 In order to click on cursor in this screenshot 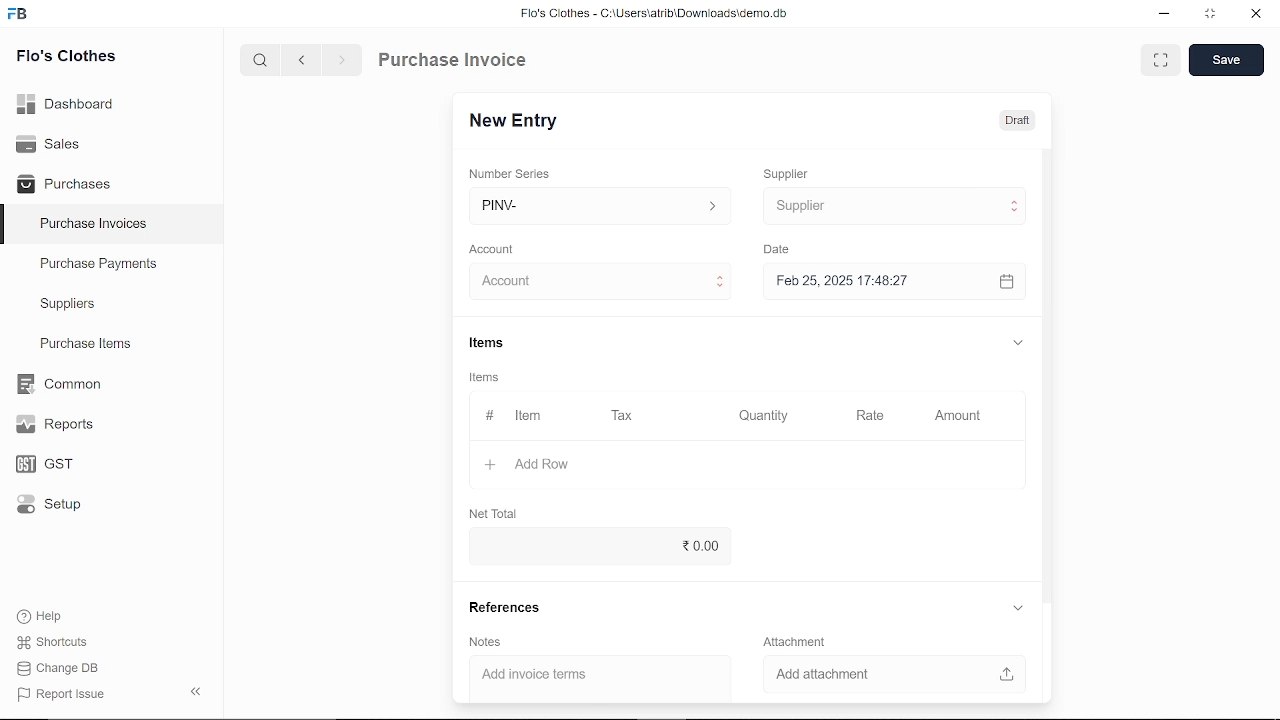, I will do `click(814, 208)`.